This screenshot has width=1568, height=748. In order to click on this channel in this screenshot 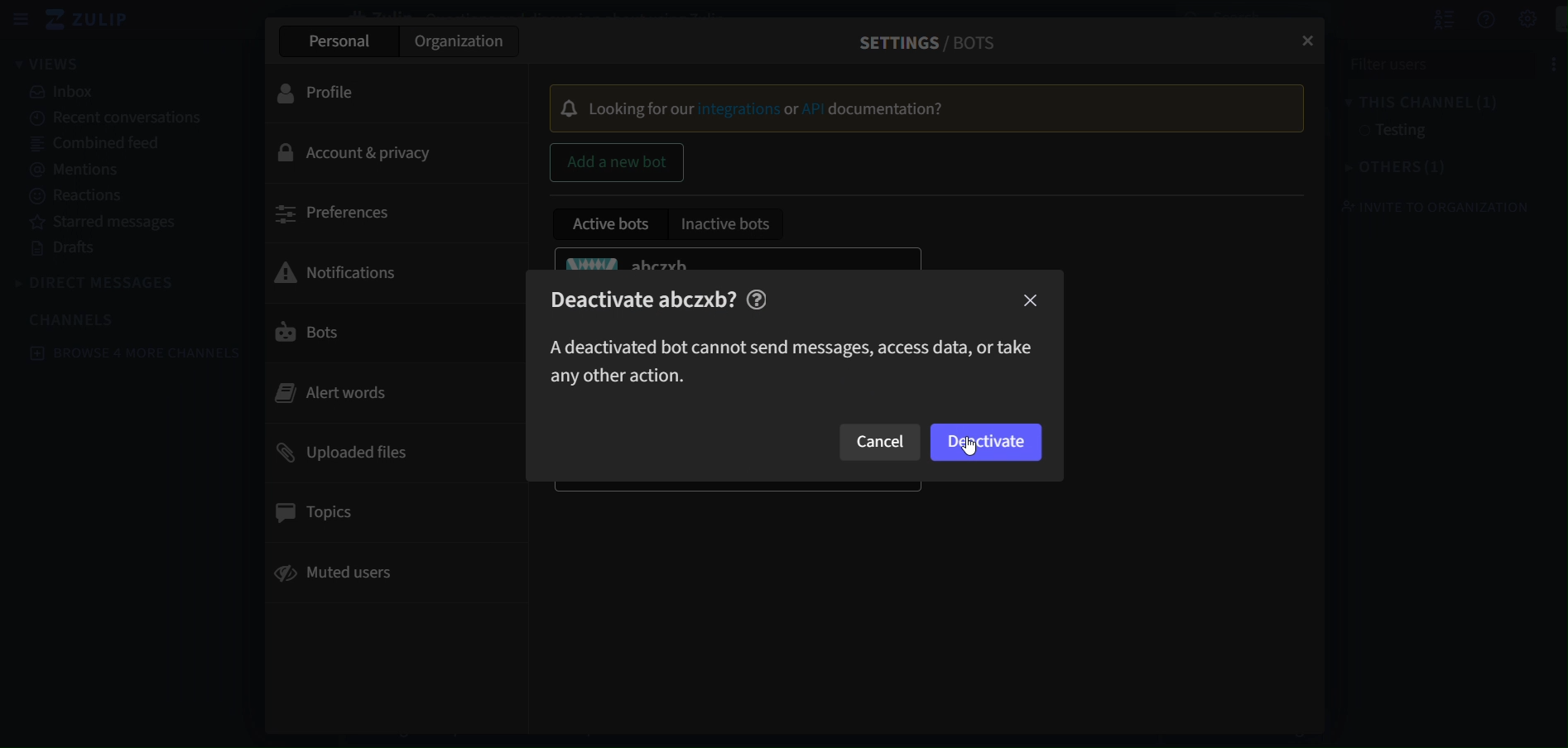, I will do `click(1412, 102)`.